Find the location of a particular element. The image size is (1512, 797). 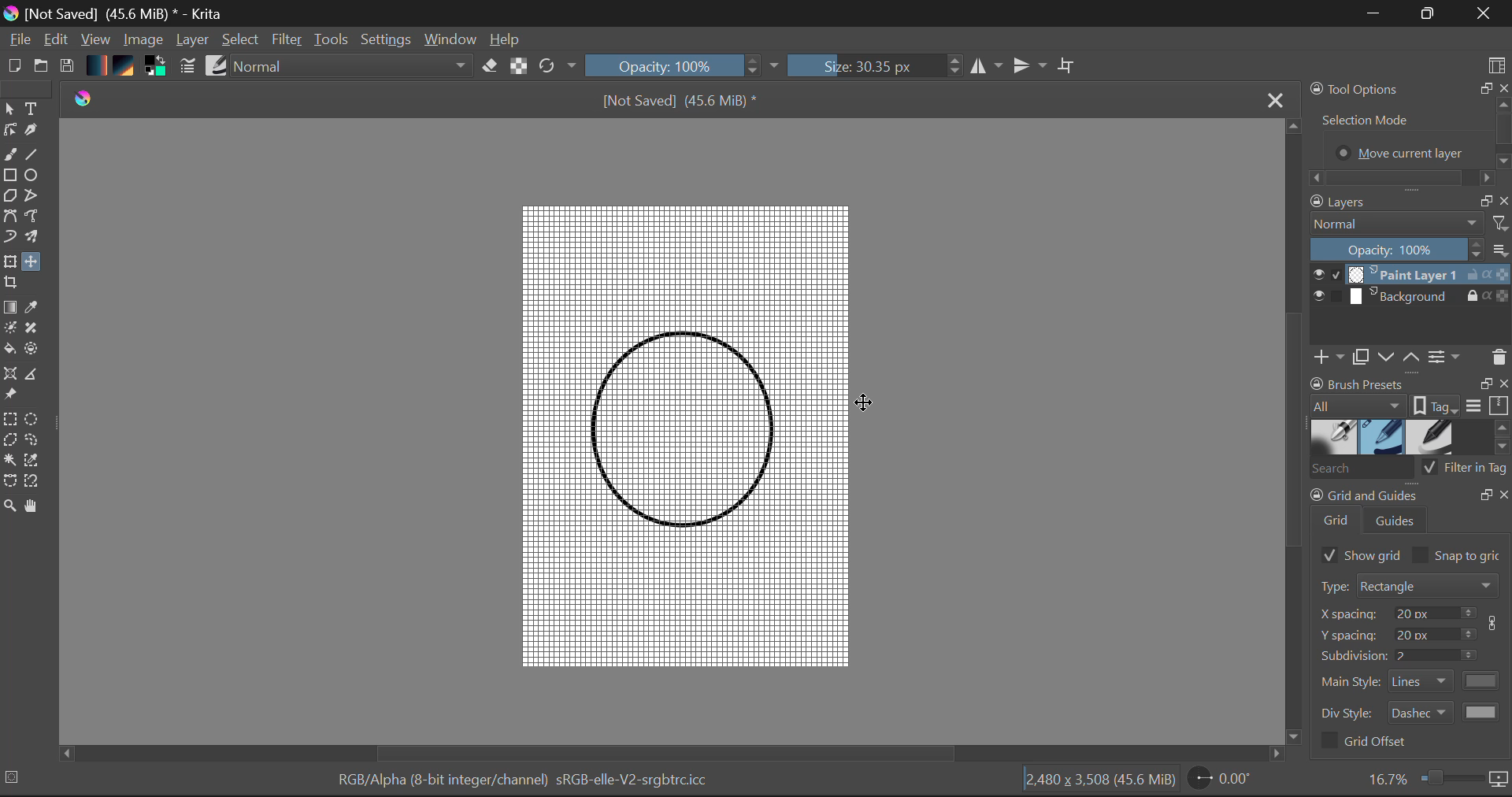

Image is located at coordinates (143, 41).